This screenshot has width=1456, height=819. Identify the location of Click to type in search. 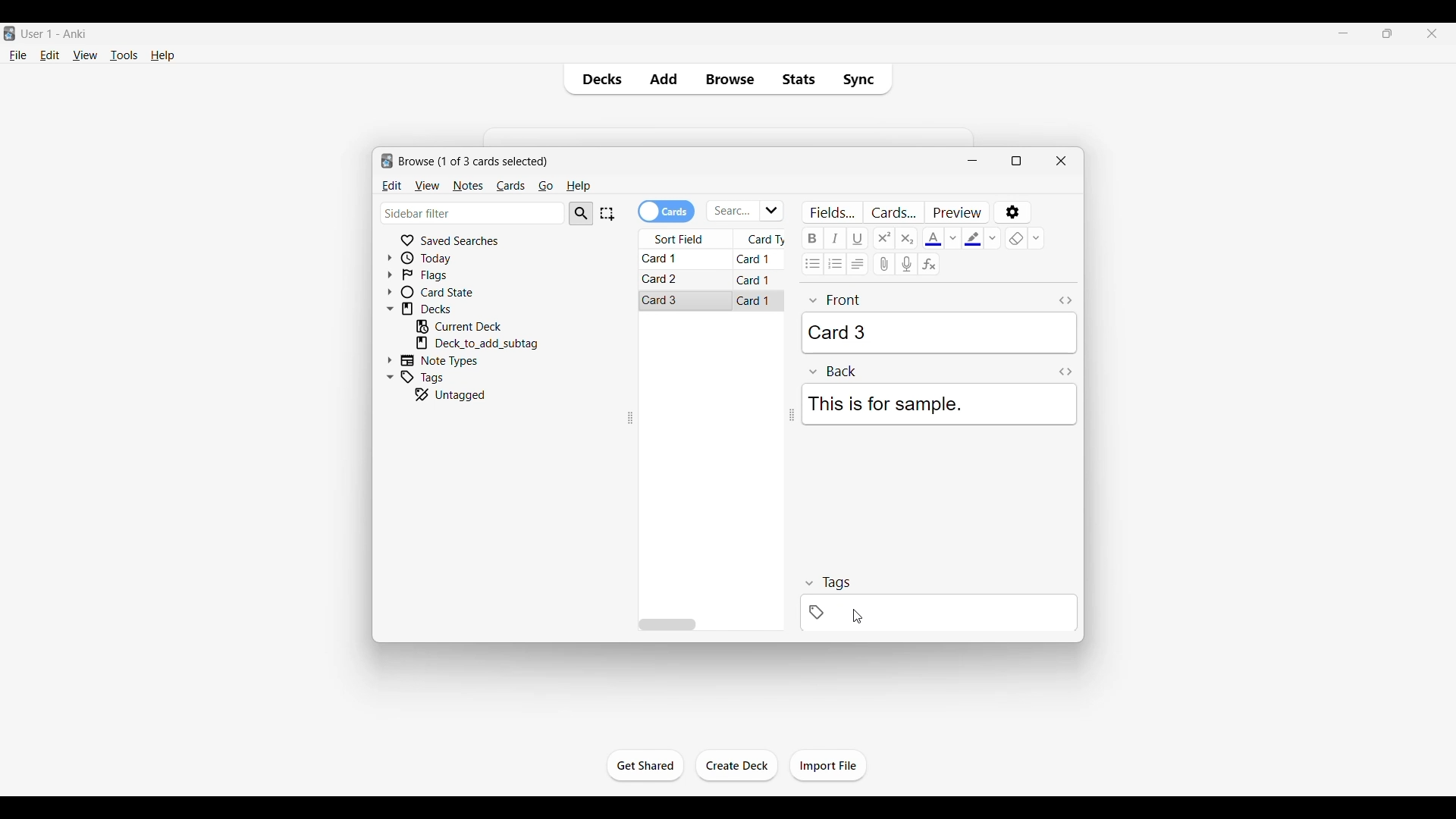
(733, 212).